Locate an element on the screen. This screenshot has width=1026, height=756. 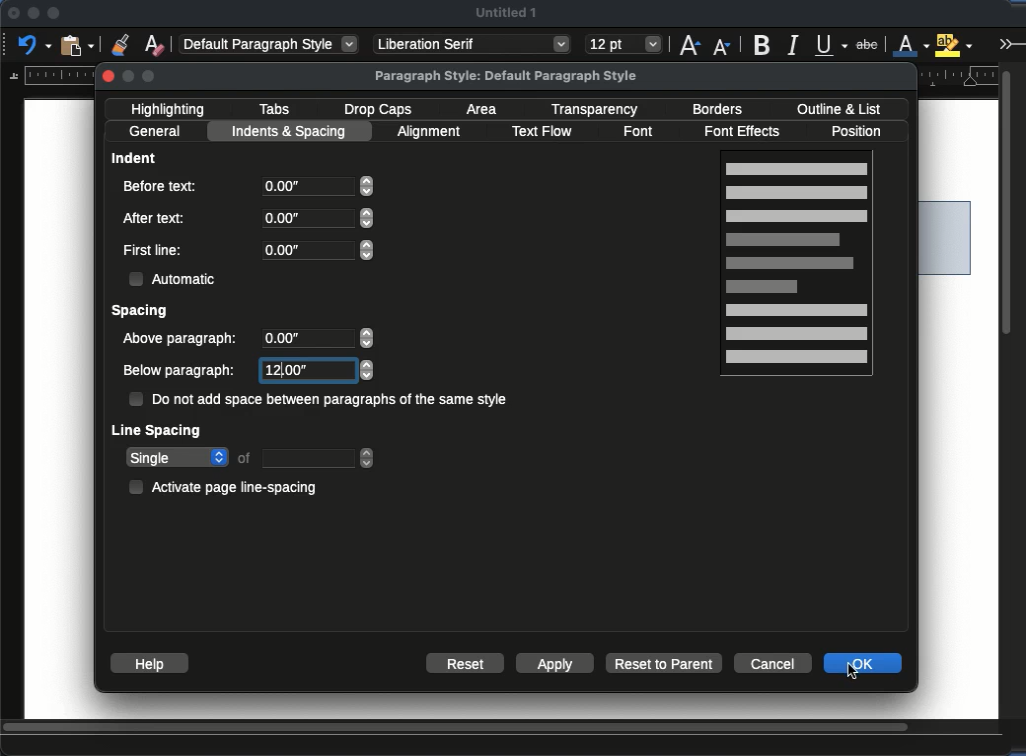
undo is located at coordinates (35, 44).